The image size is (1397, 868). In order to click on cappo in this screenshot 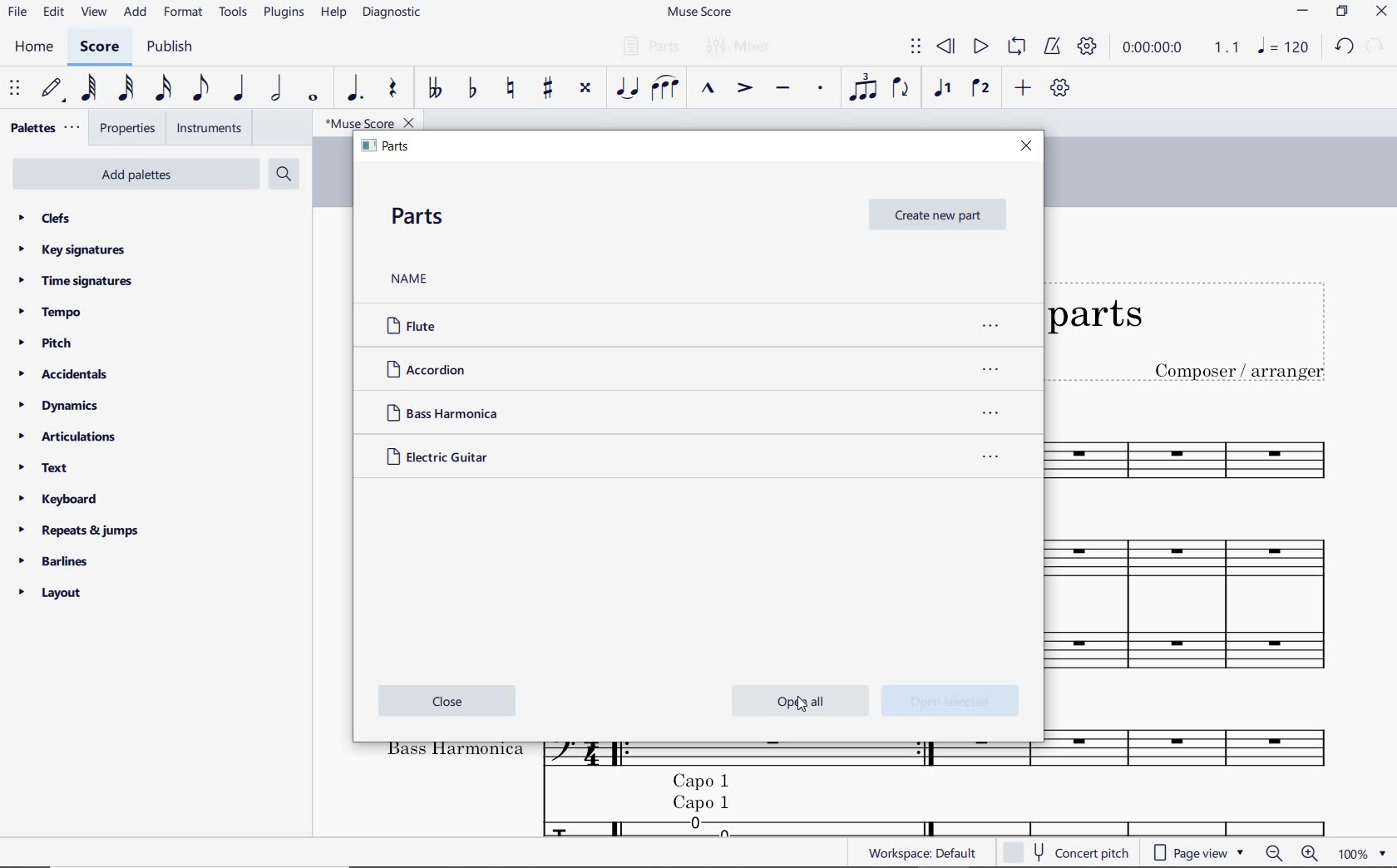, I will do `click(707, 792)`.